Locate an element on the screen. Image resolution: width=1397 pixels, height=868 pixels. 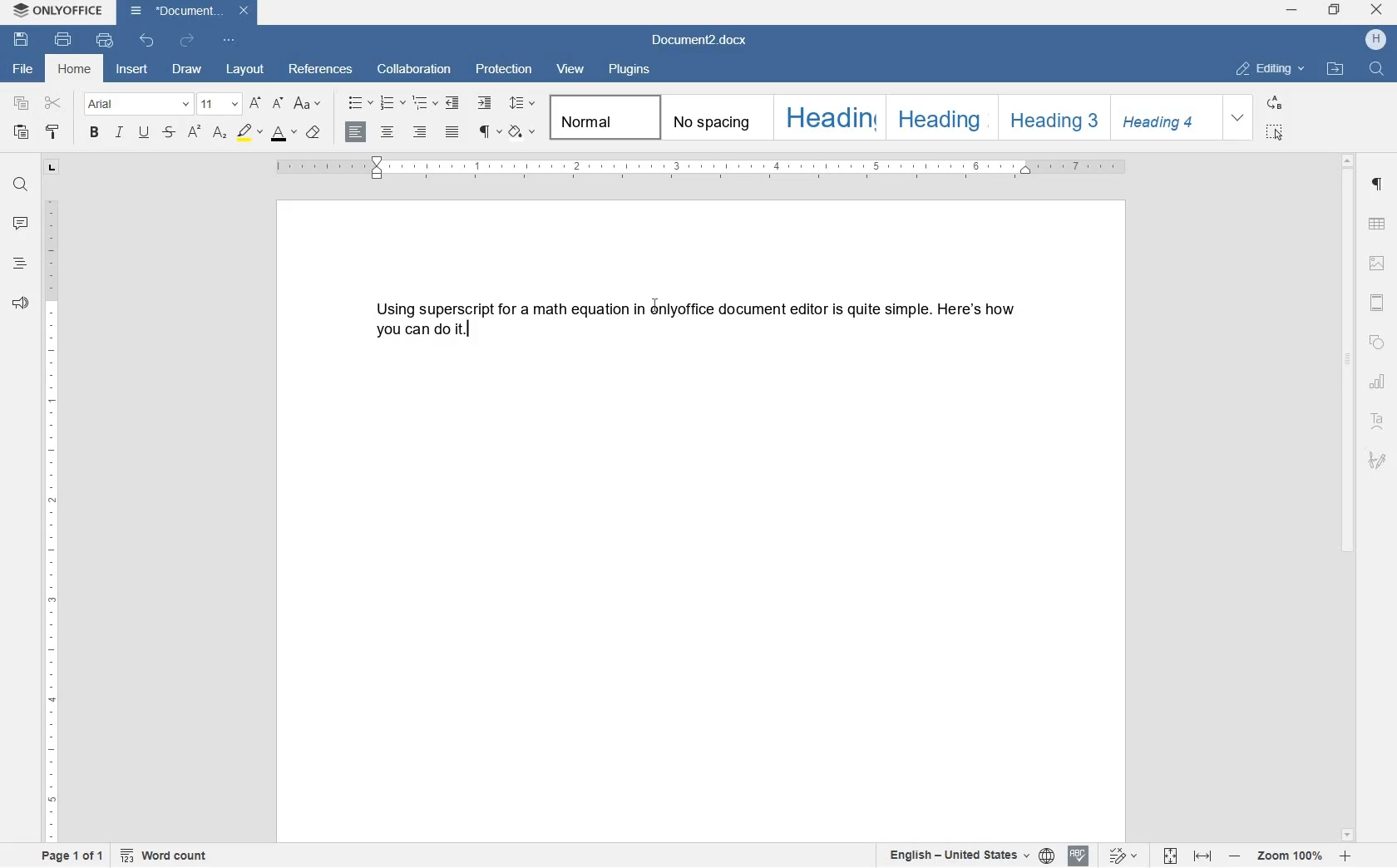
underline is located at coordinates (143, 134).